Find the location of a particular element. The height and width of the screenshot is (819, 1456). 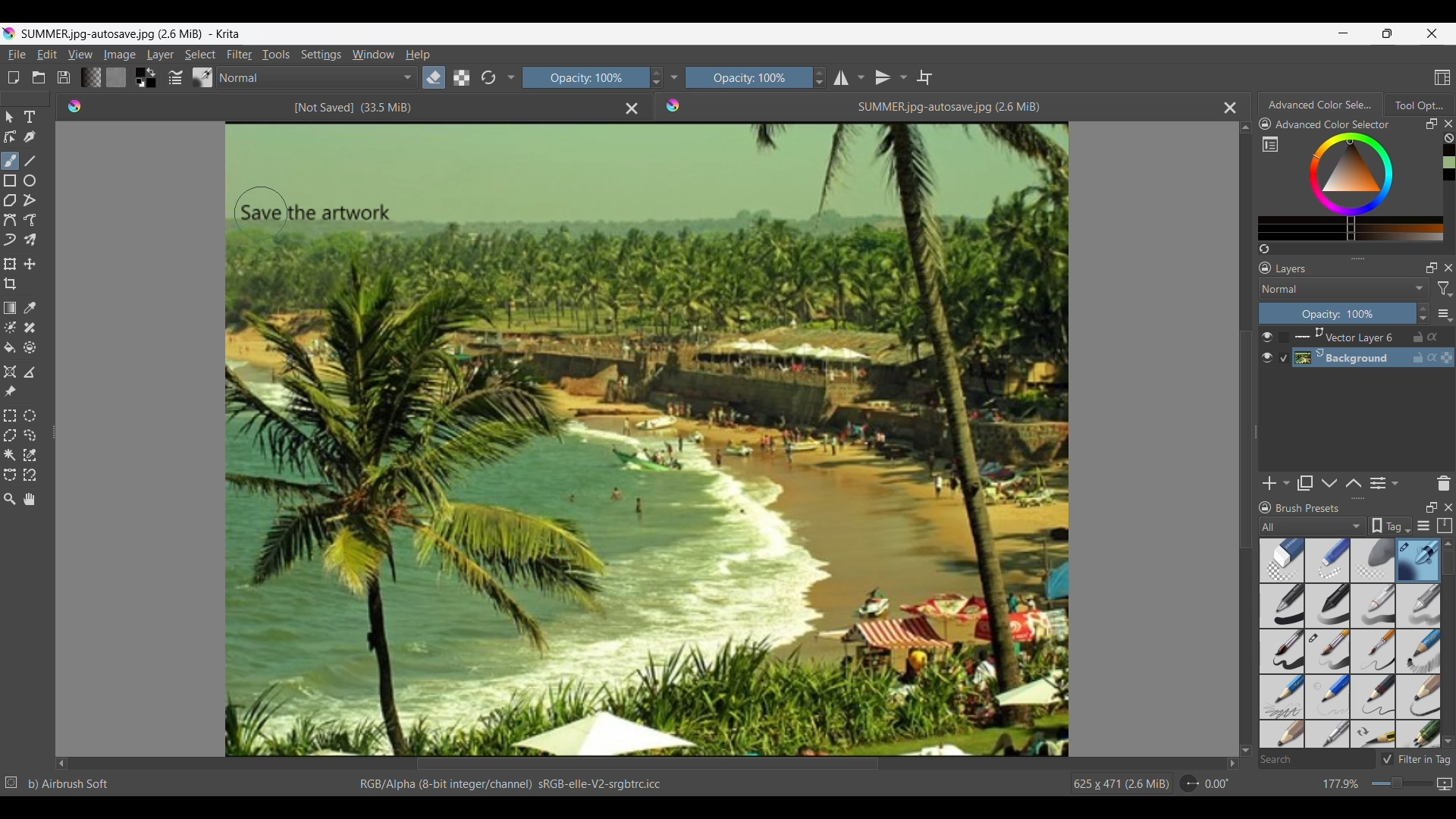

Cursor as eraser is located at coordinates (261, 214).